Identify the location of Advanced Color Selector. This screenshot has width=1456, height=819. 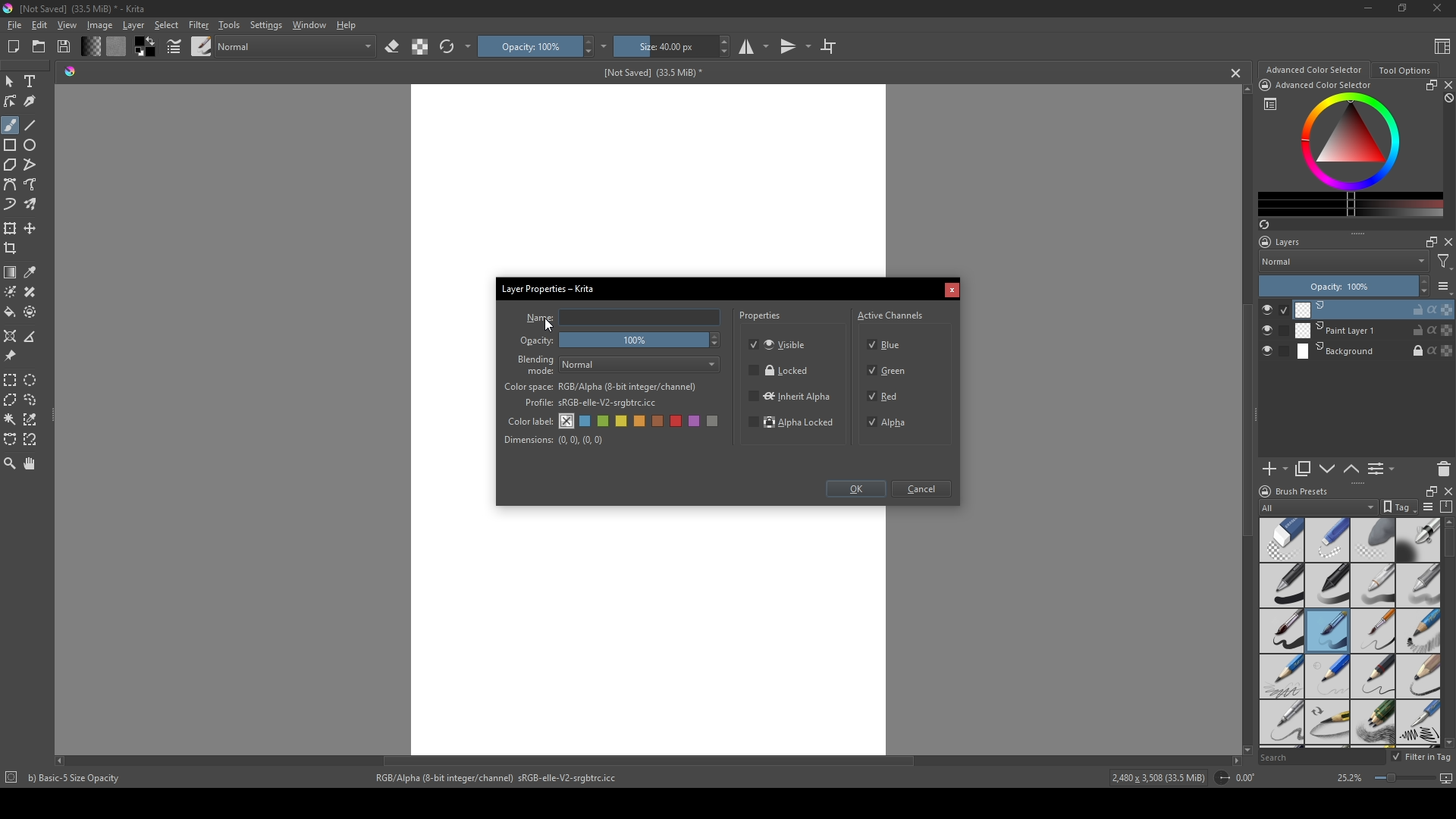
(1324, 86).